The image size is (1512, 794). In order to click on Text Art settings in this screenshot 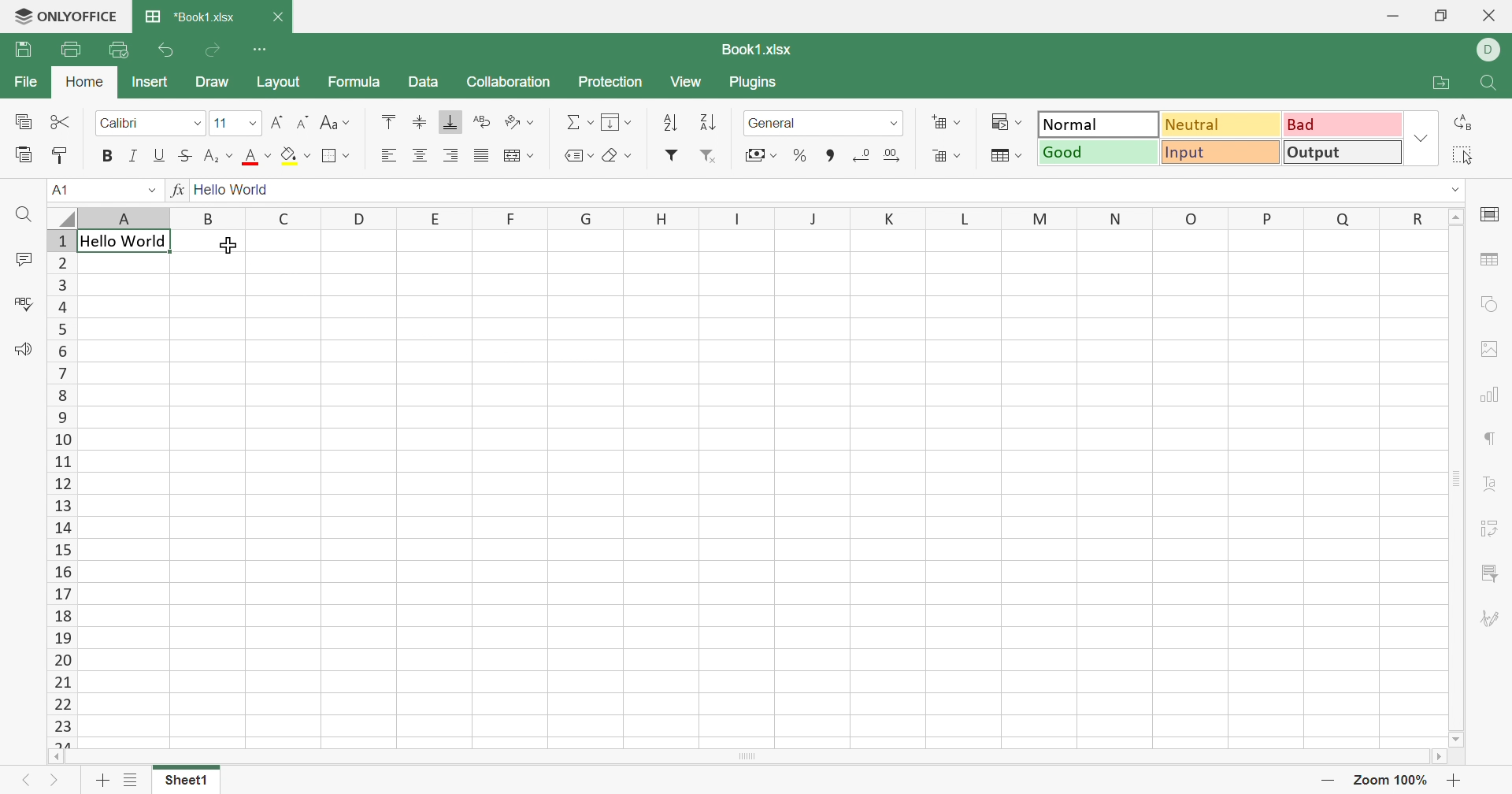, I will do `click(1487, 488)`.